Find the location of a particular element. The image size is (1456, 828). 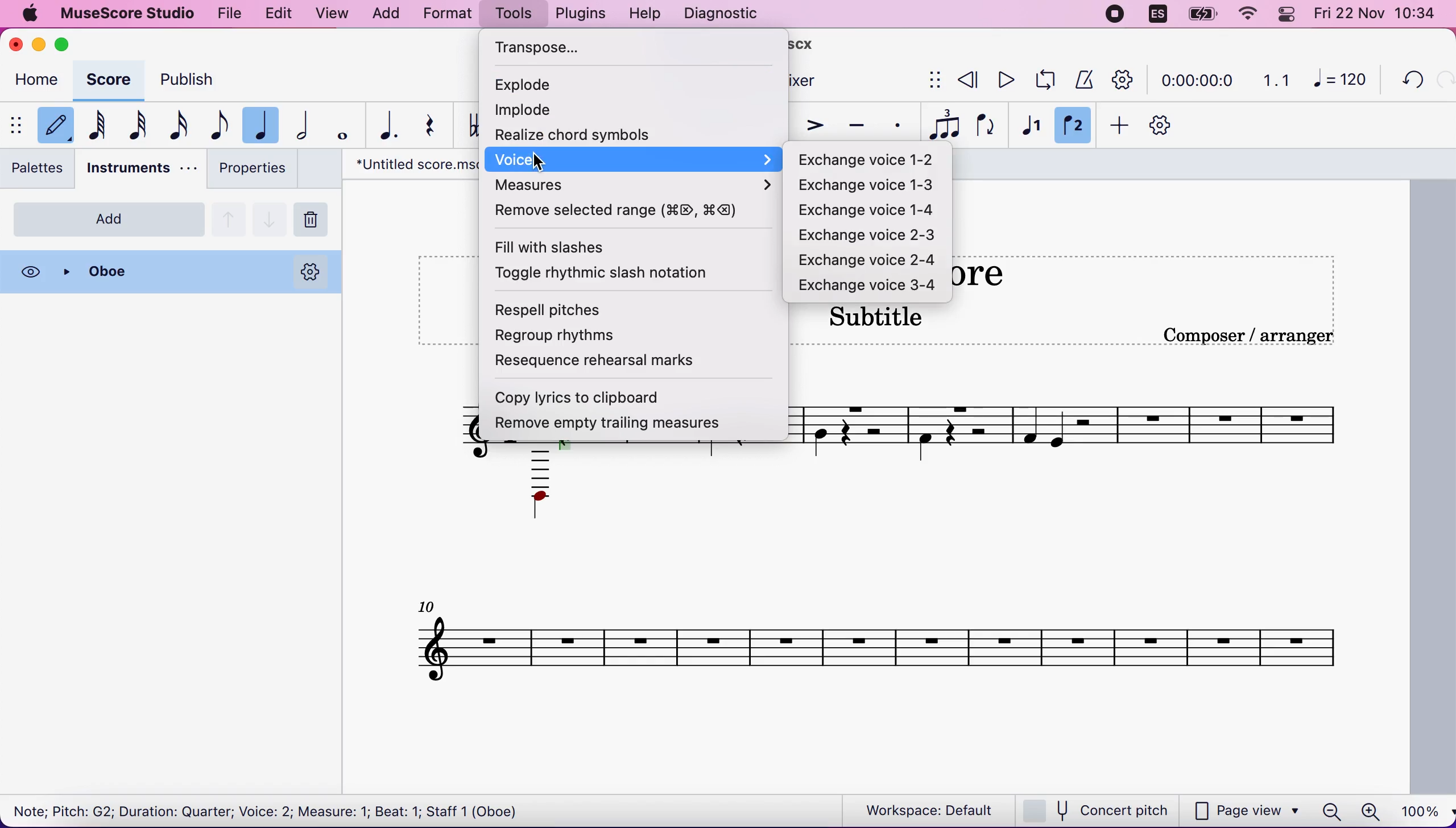

accent is located at coordinates (816, 127).